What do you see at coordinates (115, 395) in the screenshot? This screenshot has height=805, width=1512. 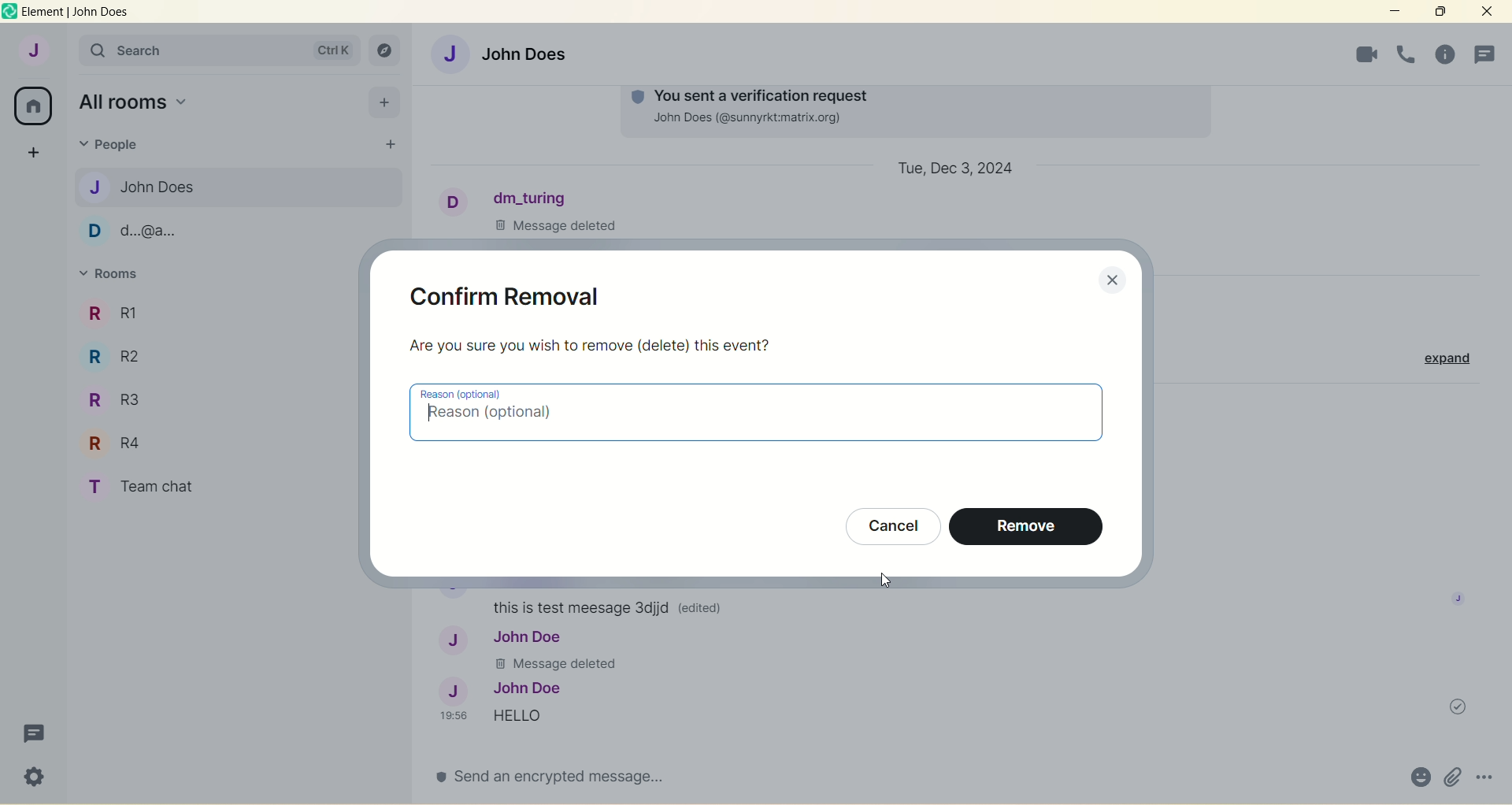 I see `R R3` at bounding box center [115, 395].